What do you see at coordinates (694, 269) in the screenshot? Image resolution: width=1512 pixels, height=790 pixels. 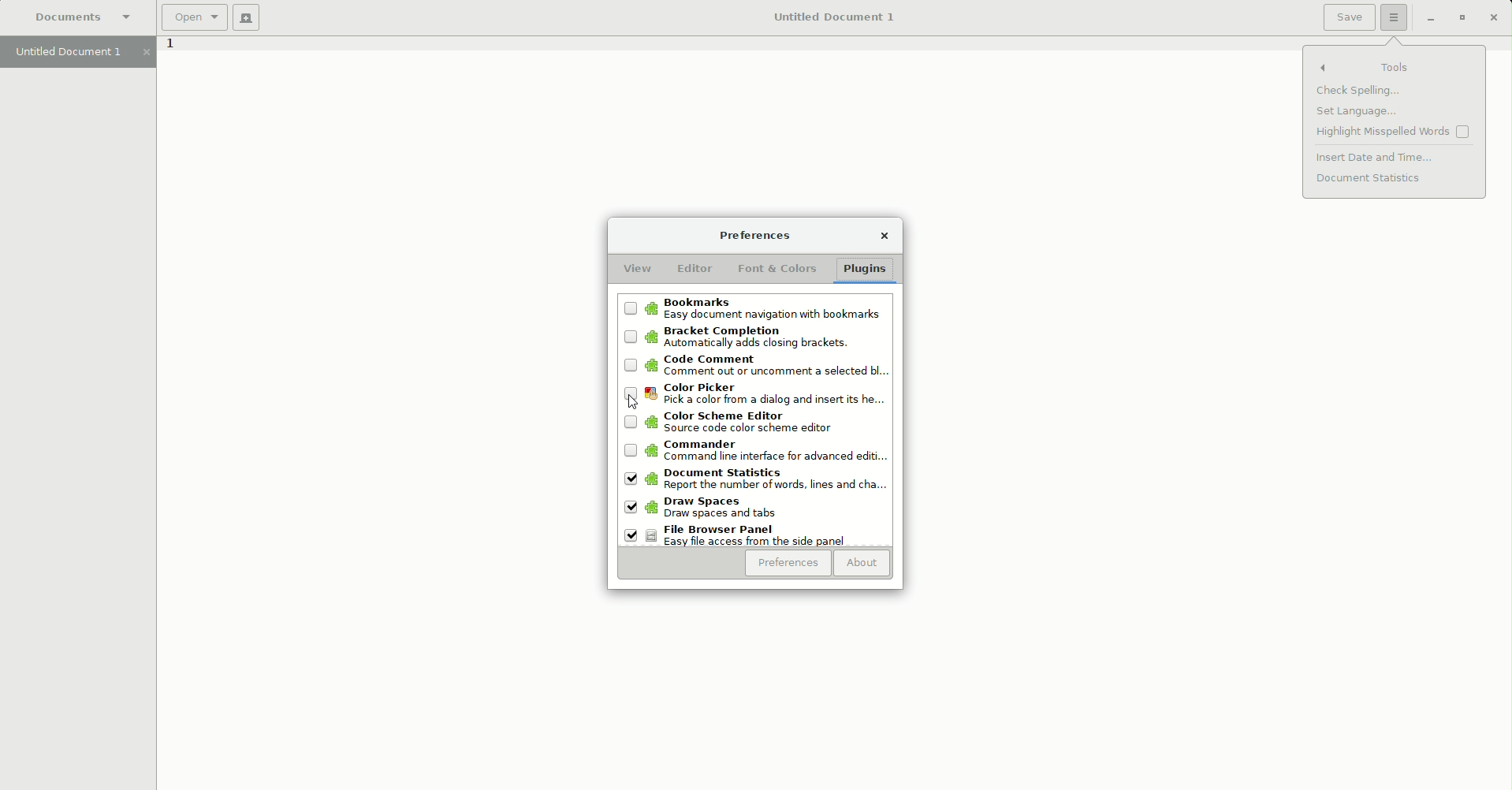 I see `Editor` at bounding box center [694, 269].